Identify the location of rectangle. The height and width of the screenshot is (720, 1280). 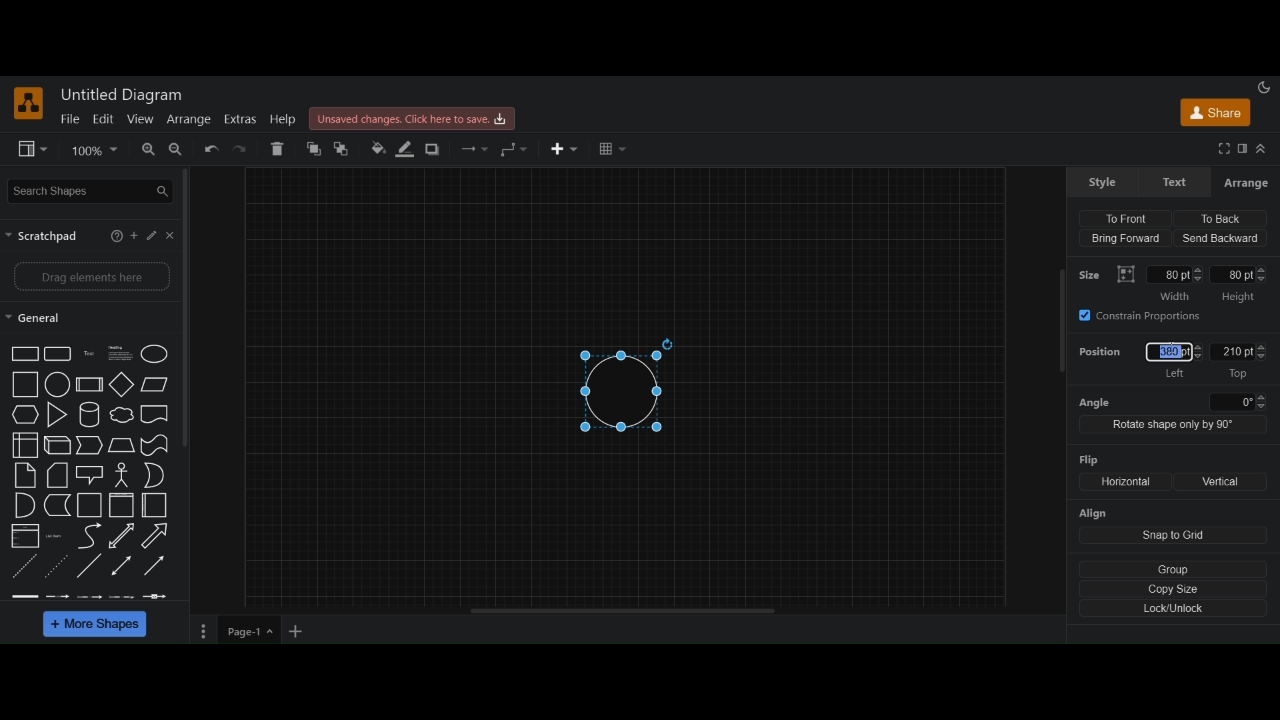
(58, 354).